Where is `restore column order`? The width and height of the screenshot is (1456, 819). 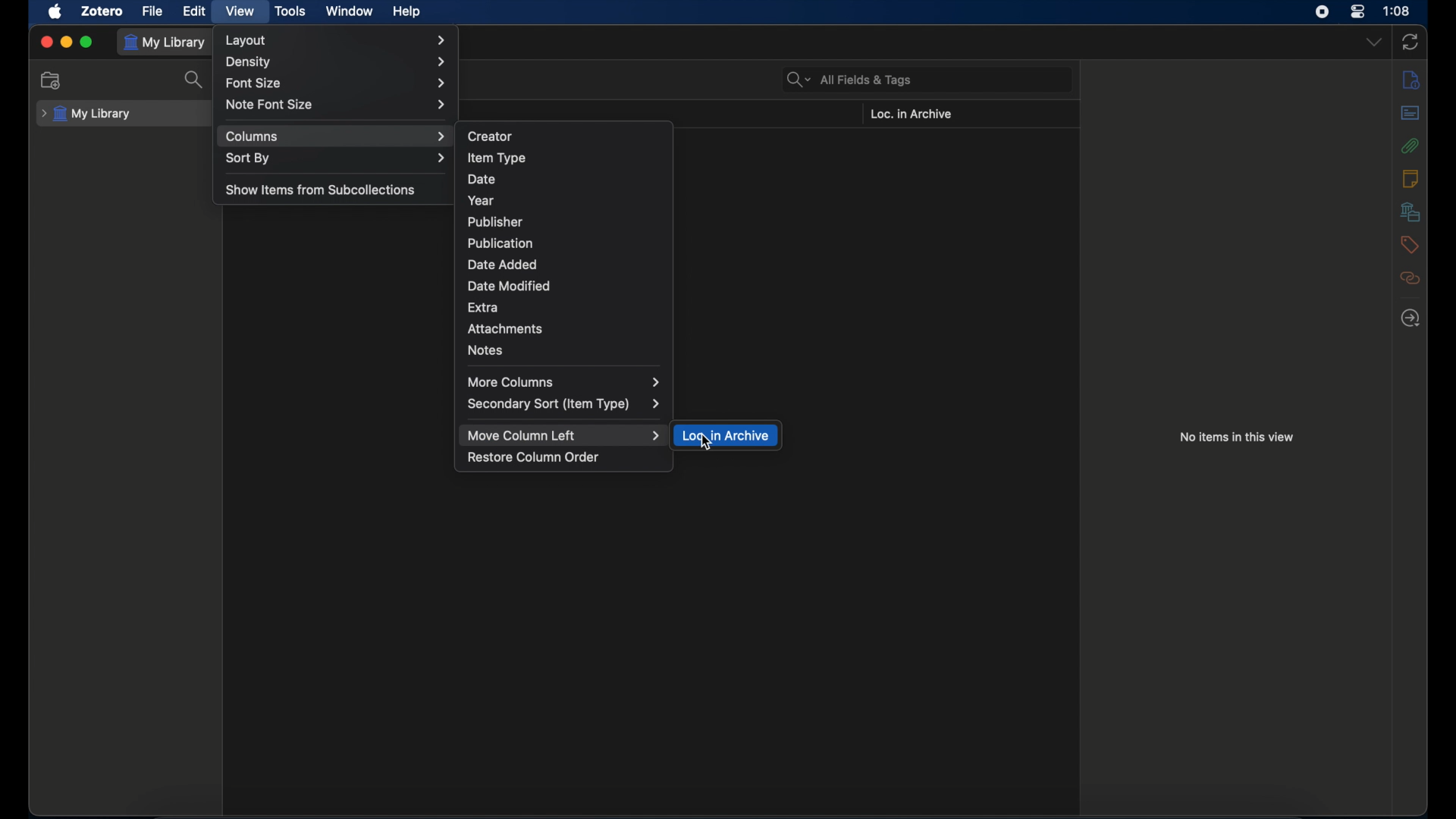
restore column order is located at coordinates (534, 457).